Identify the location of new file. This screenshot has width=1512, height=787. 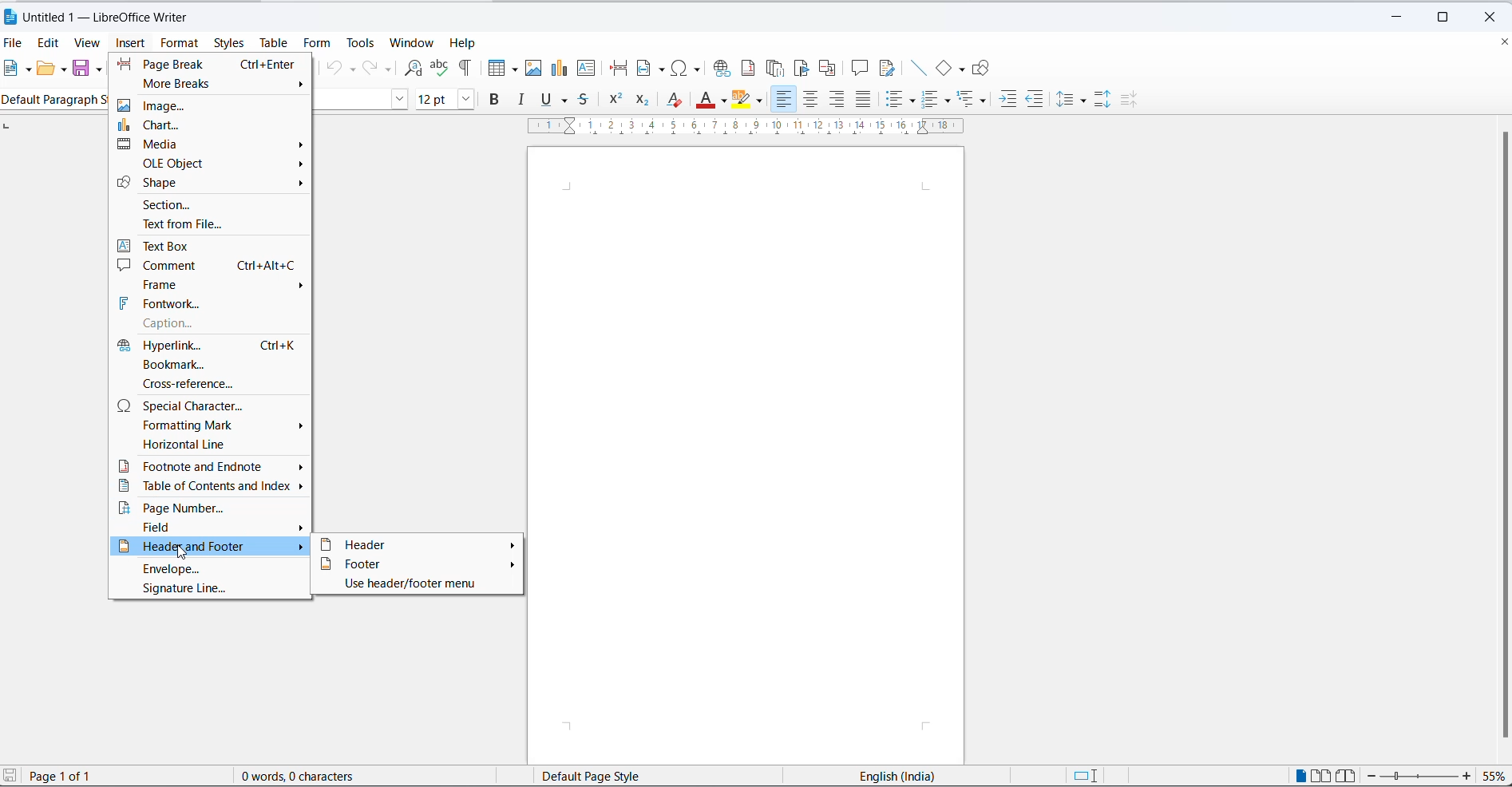
(10, 69).